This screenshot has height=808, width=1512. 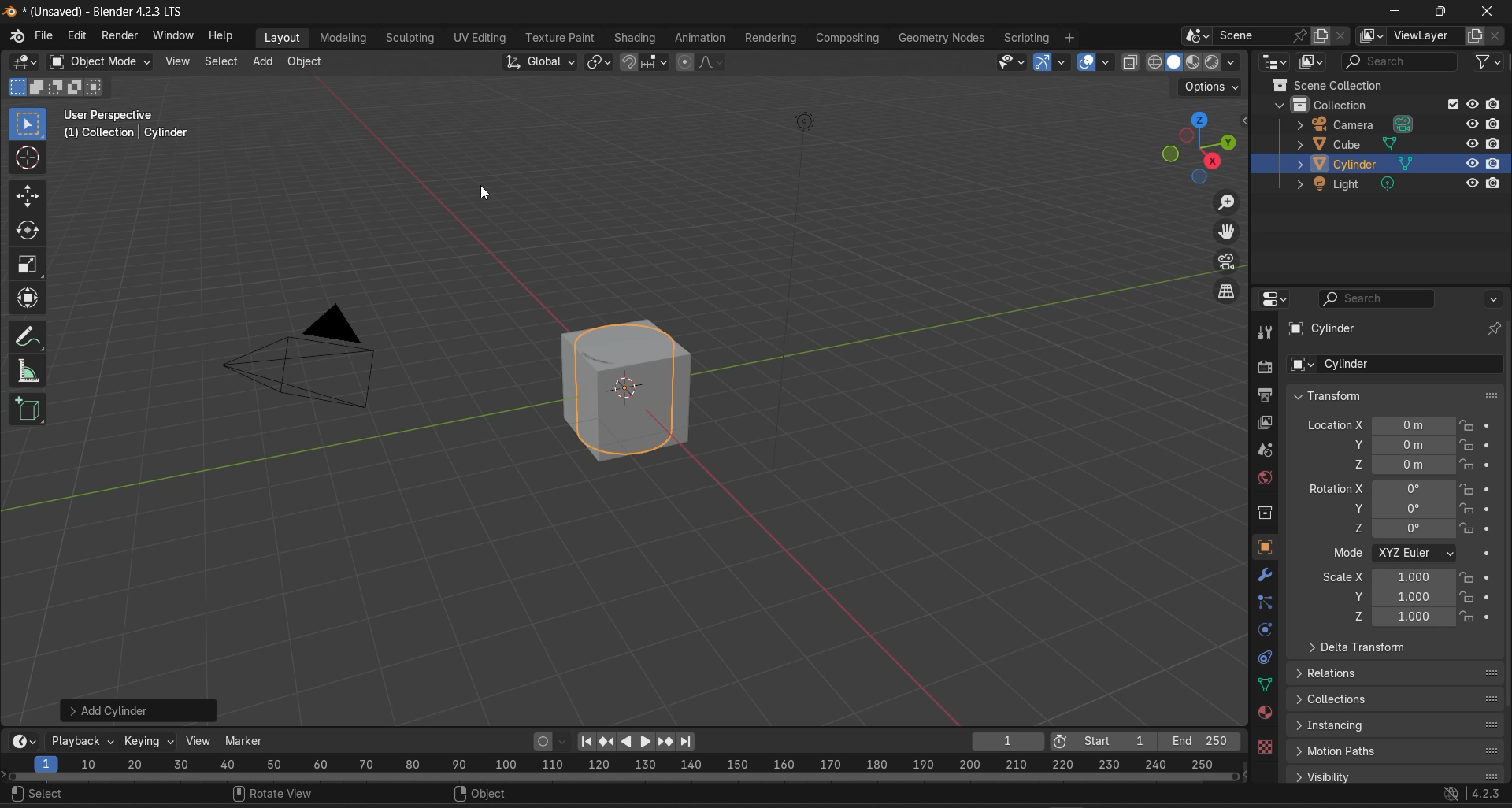 I want to click on minimize, so click(x=1394, y=12).